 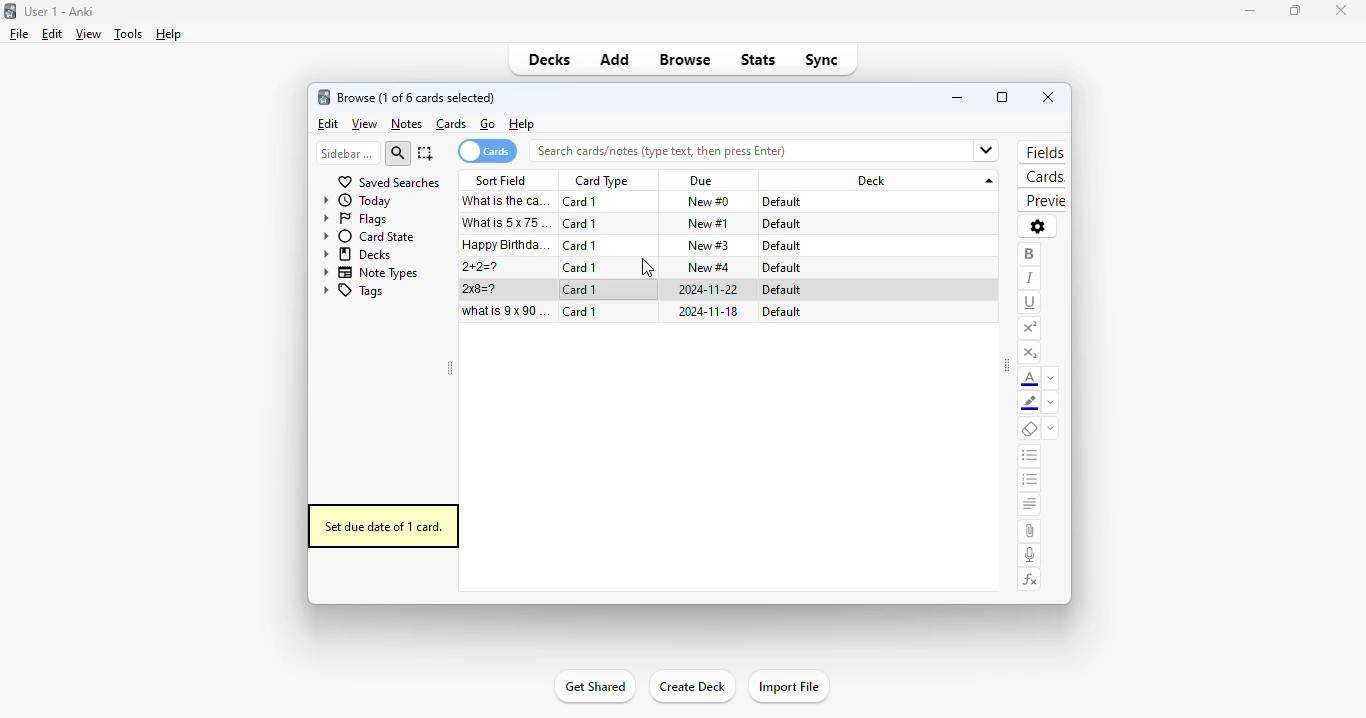 What do you see at coordinates (10, 10) in the screenshot?
I see `logo` at bounding box center [10, 10].